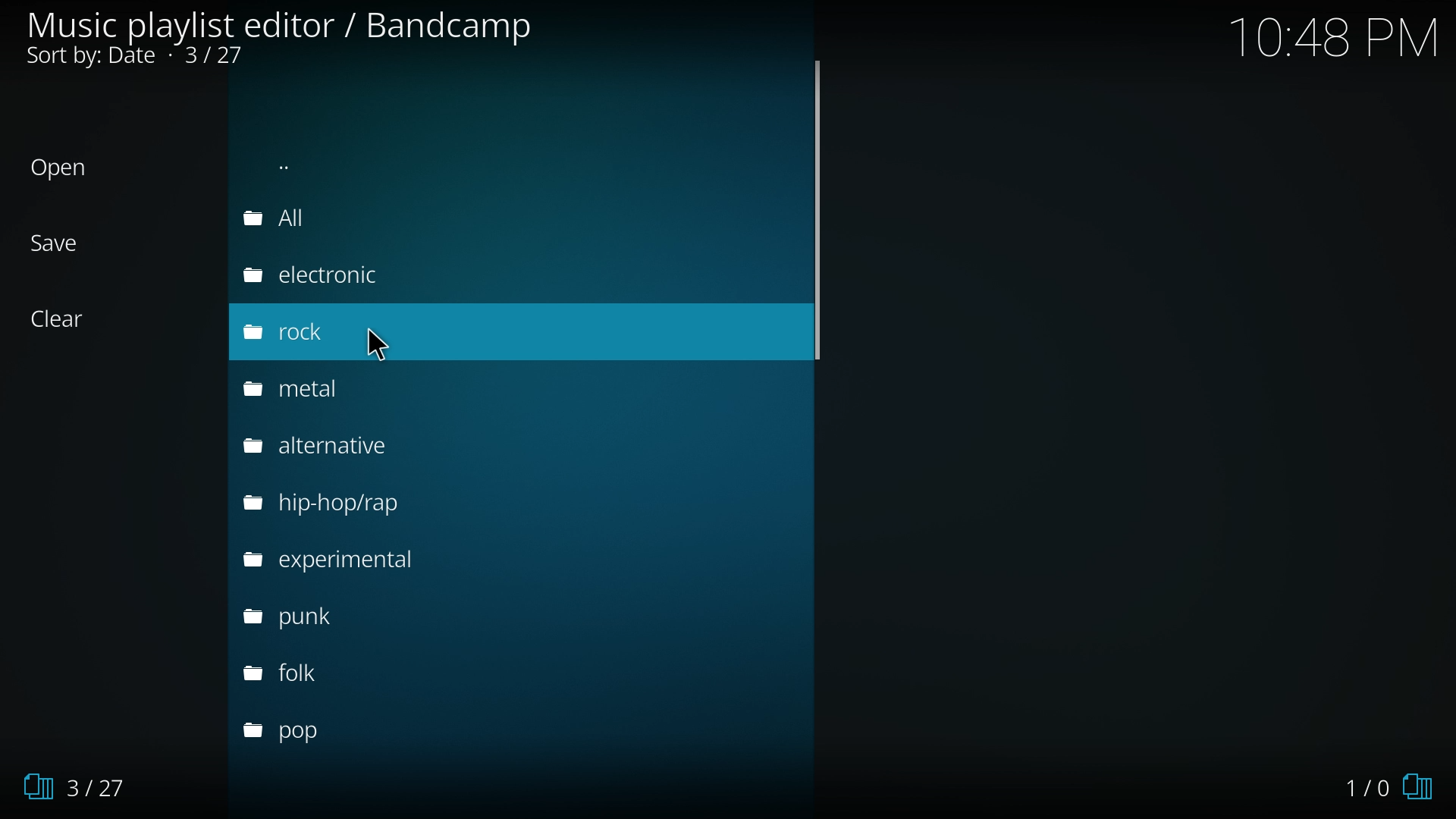  Describe the element at coordinates (311, 675) in the screenshot. I see `folk` at that location.